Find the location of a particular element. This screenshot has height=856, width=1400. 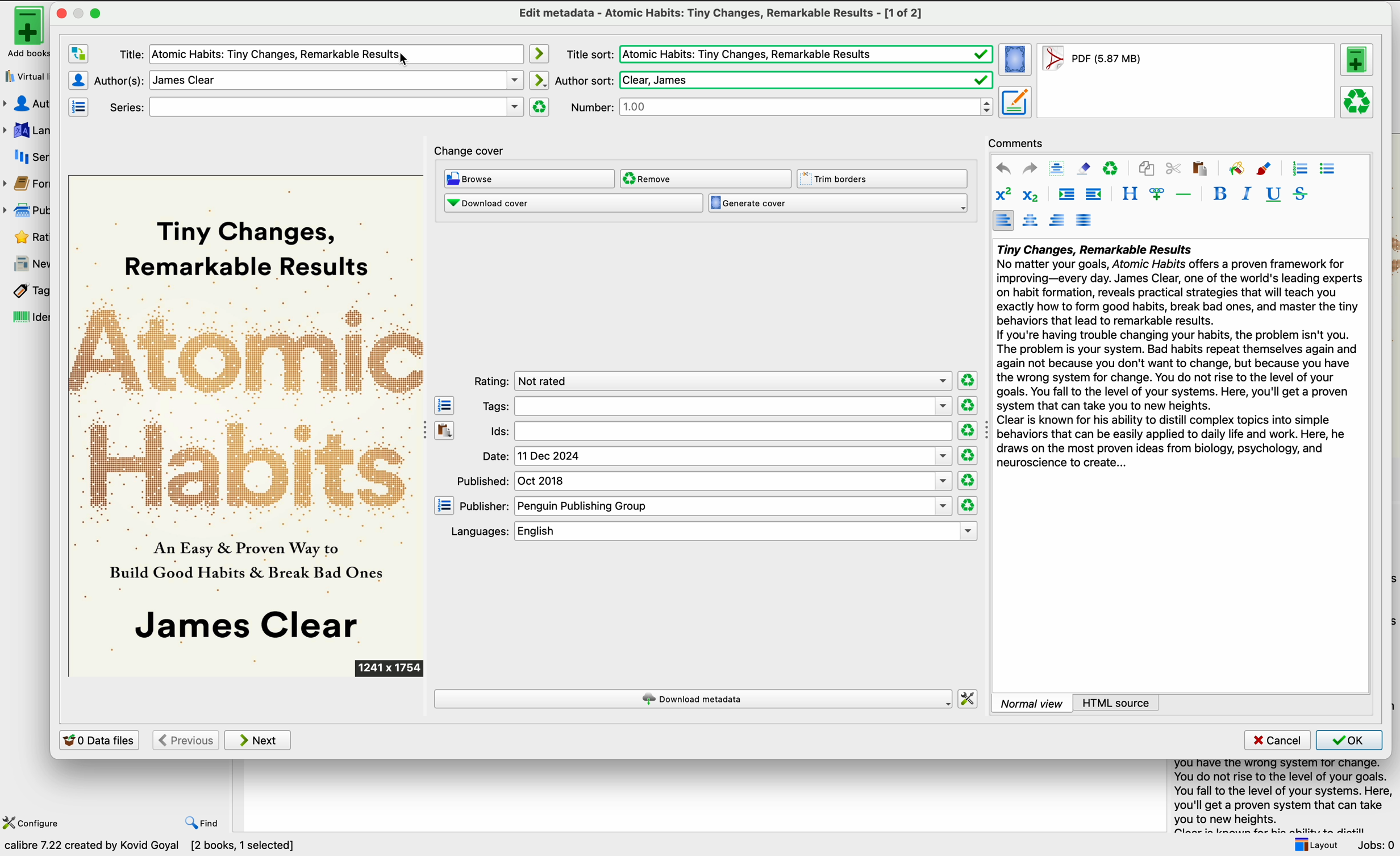

Ids is located at coordinates (718, 432).